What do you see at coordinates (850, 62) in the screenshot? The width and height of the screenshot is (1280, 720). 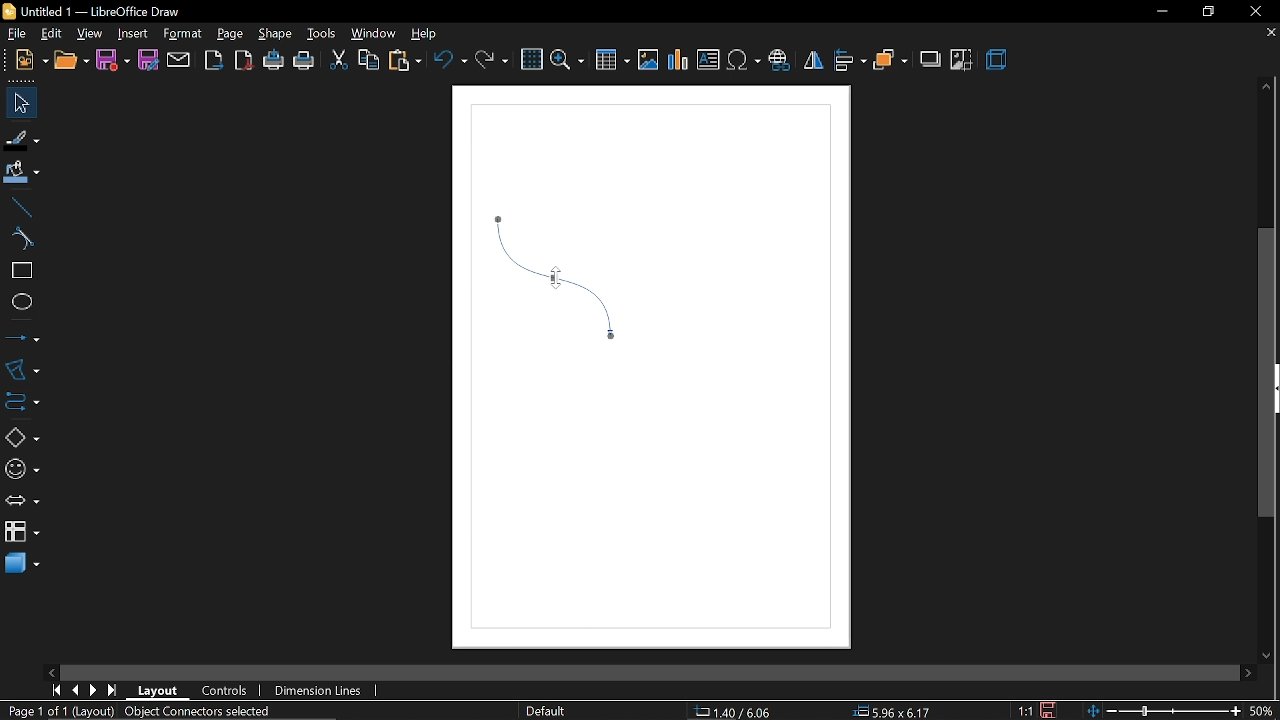 I see `align` at bounding box center [850, 62].